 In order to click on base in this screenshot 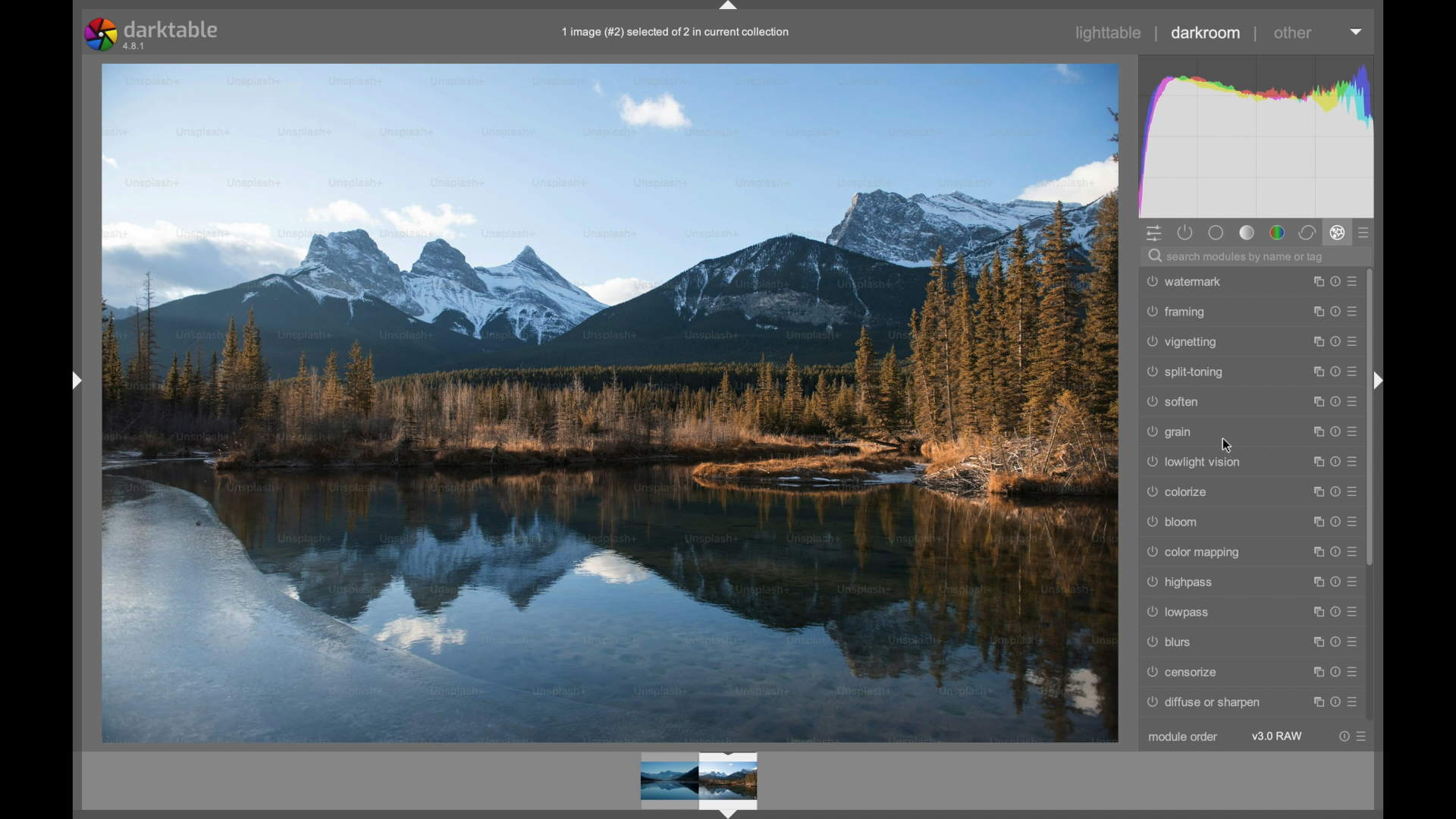, I will do `click(1215, 233)`.